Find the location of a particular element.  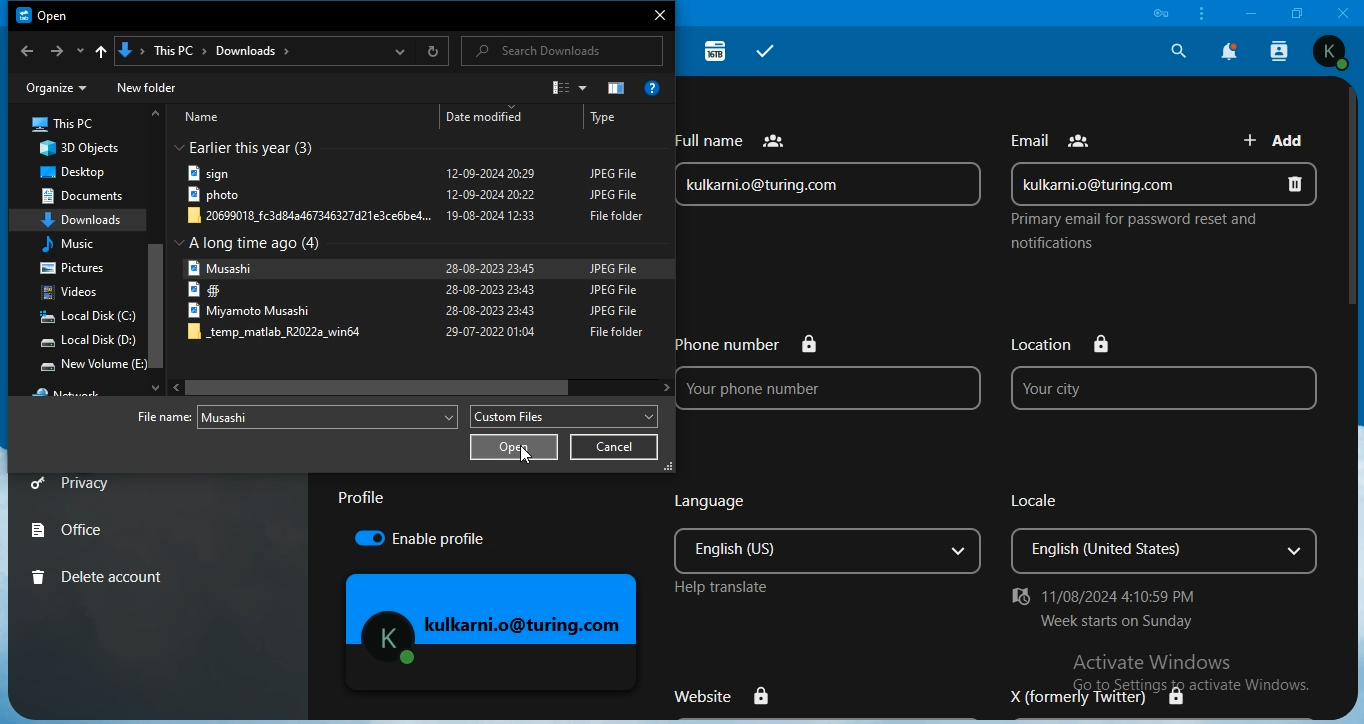

text is located at coordinates (72, 393).